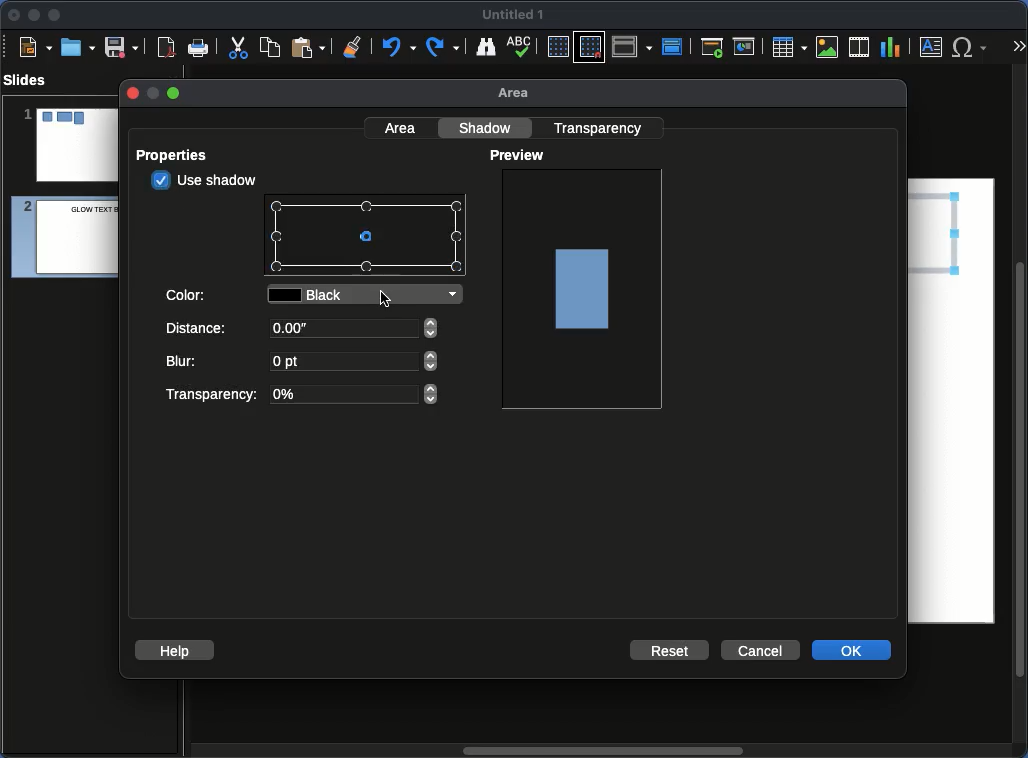 The image size is (1028, 758). Describe the element at coordinates (1022, 413) in the screenshot. I see `Scroll` at that location.